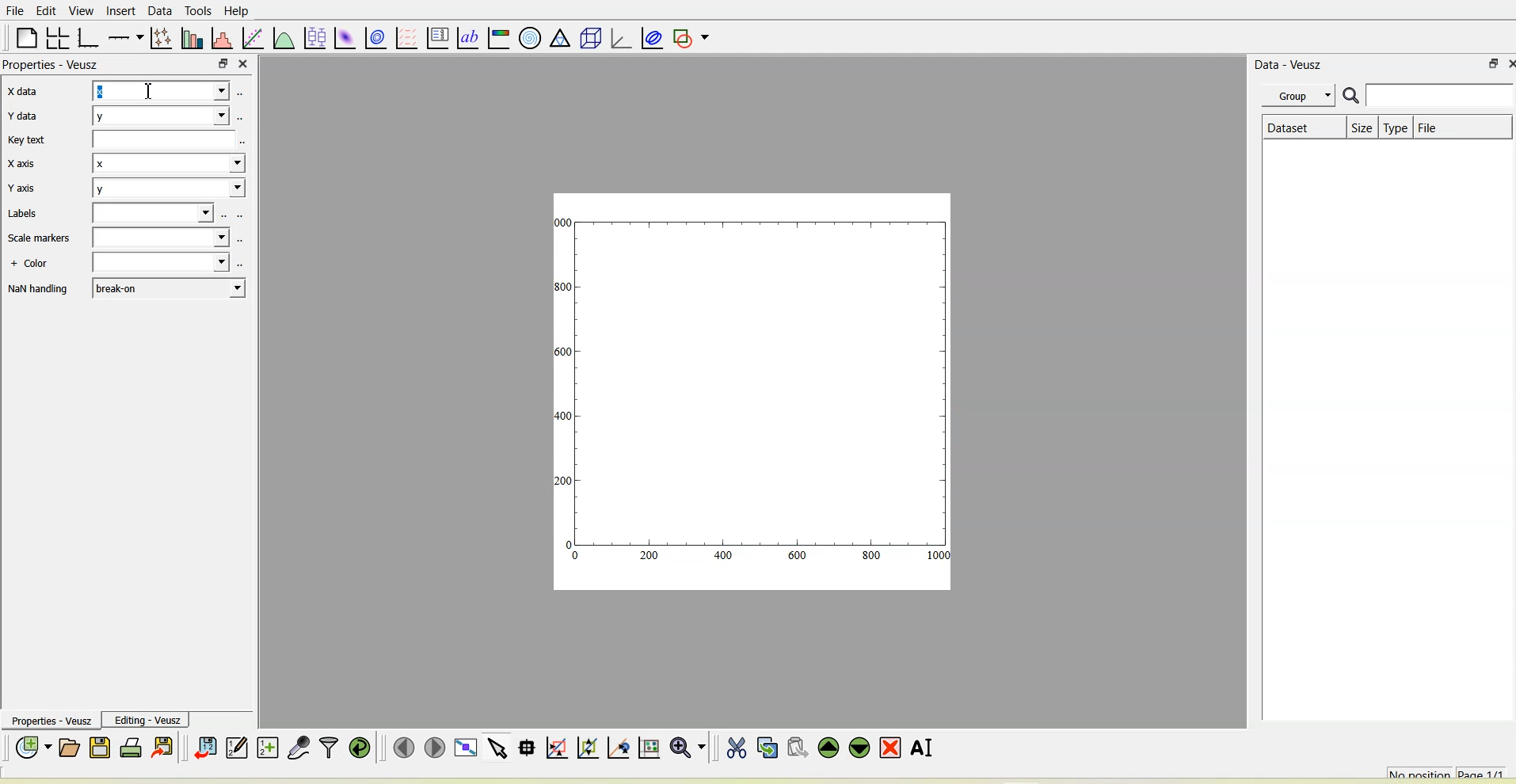 This screenshot has width=1516, height=784. What do you see at coordinates (23, 213) in the screenshot?
I see `Labels` at bounding box center [23, 213].